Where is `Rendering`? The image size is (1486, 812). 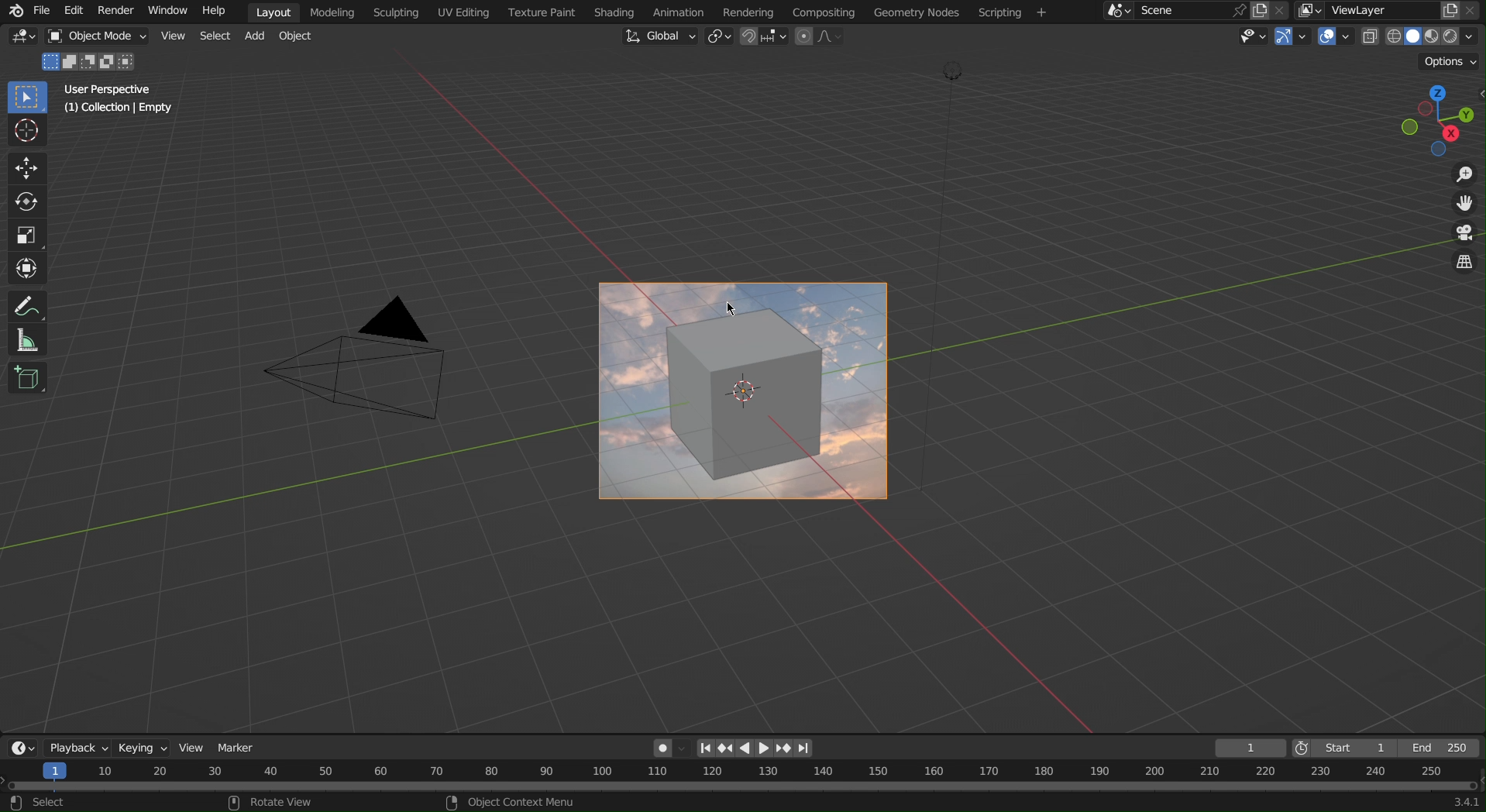
Rendering is located at coordinates (748, 10).